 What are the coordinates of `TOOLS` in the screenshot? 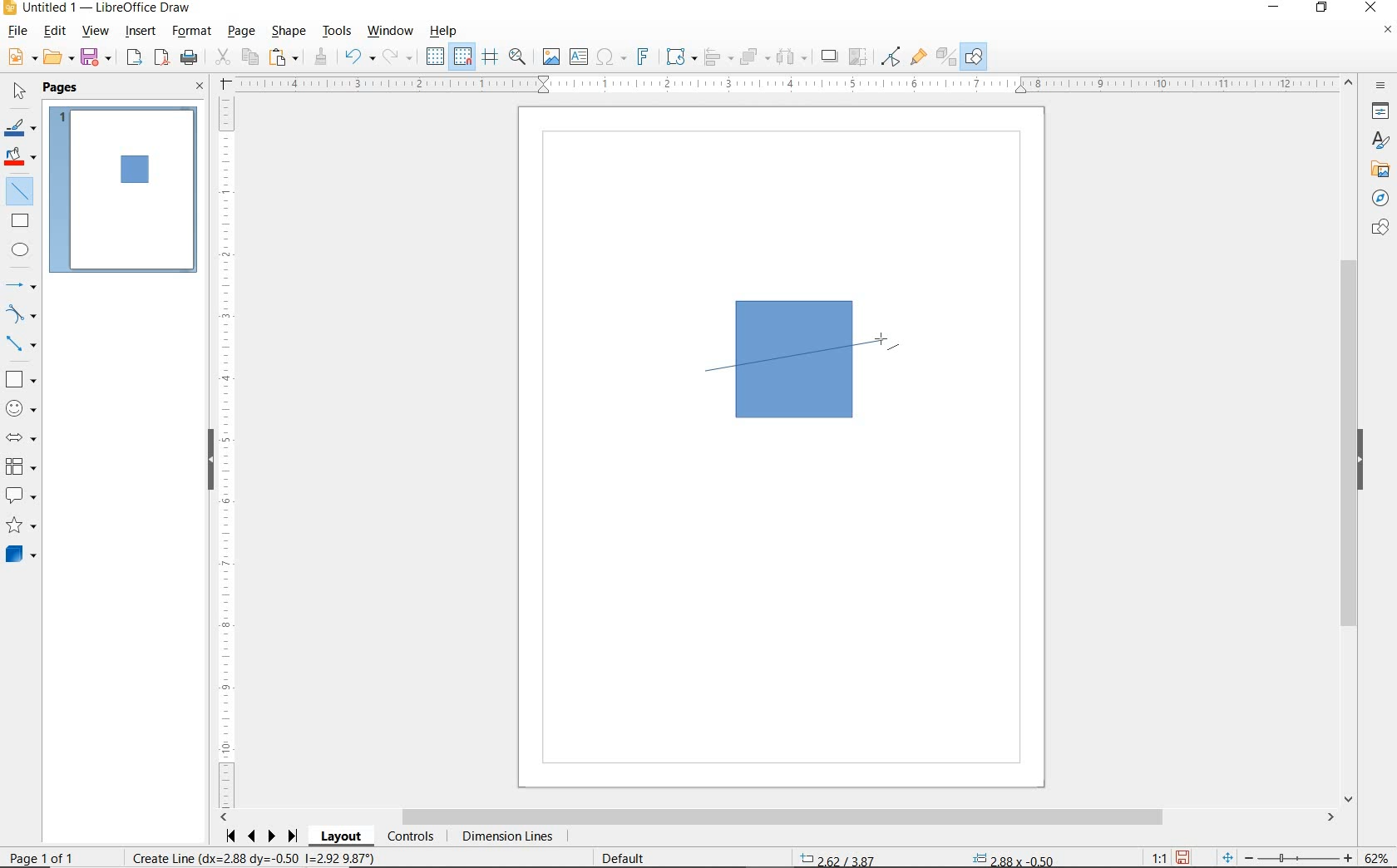 It's located at (338, 32).